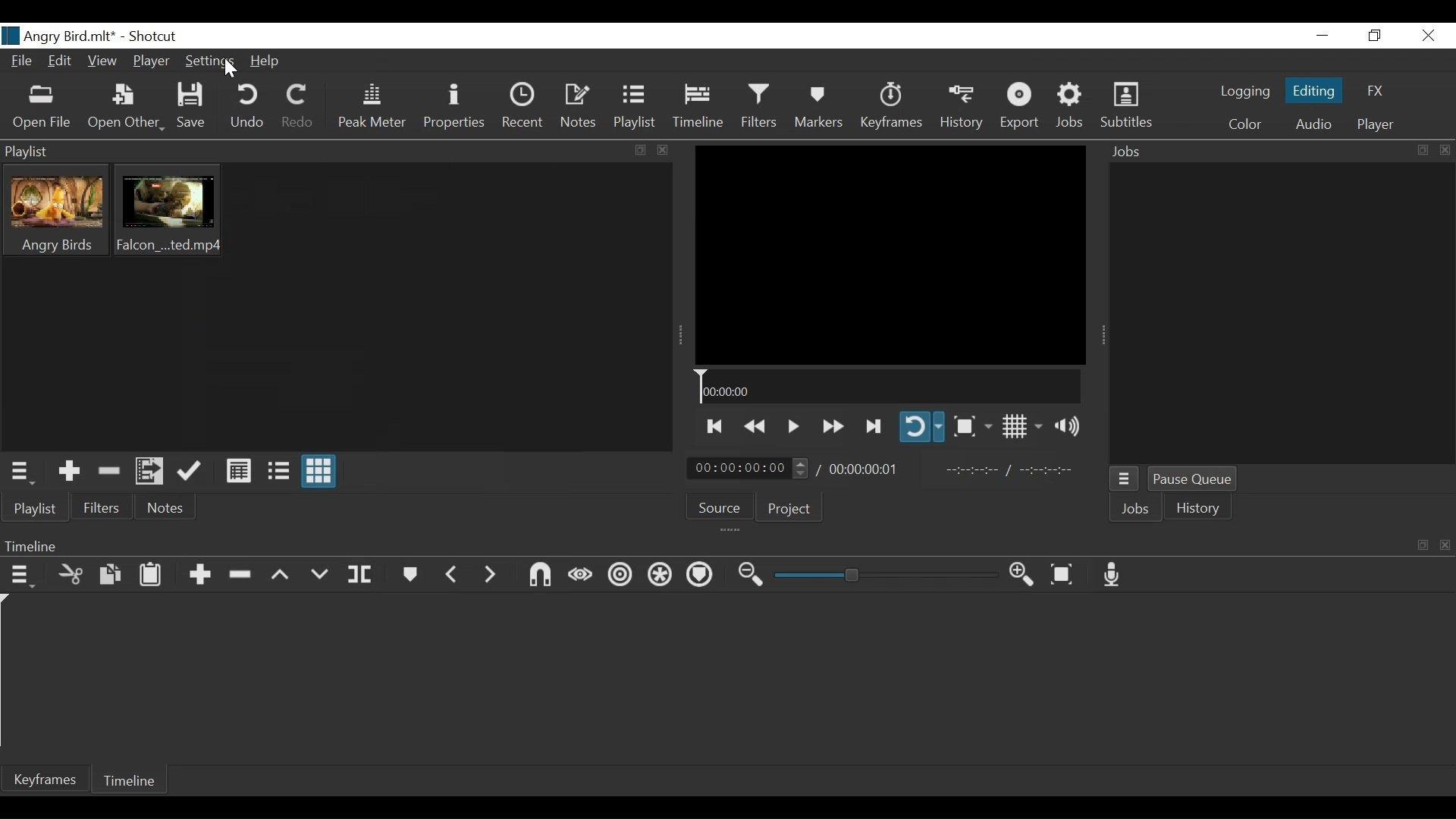 The image size is (1456, 819). Describe the element at coordinates (922, 427) in the screenshot. I see `Toggle player looping` at that location.